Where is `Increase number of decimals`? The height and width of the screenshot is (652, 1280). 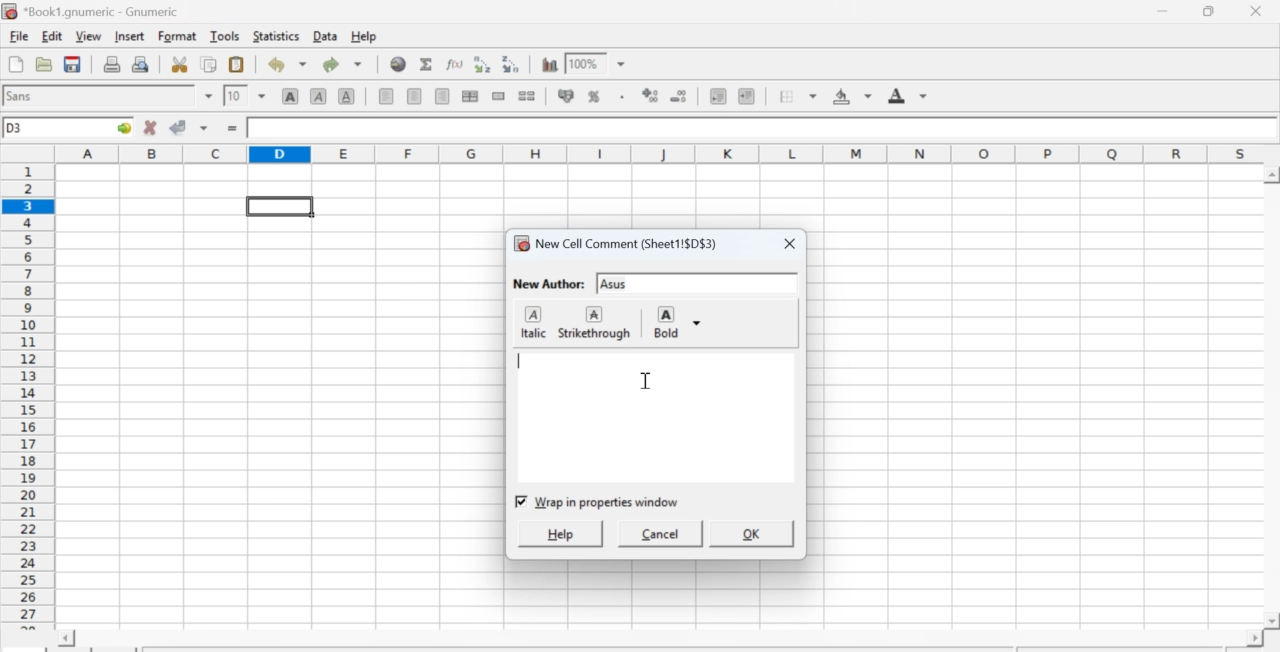
Increase number of decimals is located at coordinates (651, 95).